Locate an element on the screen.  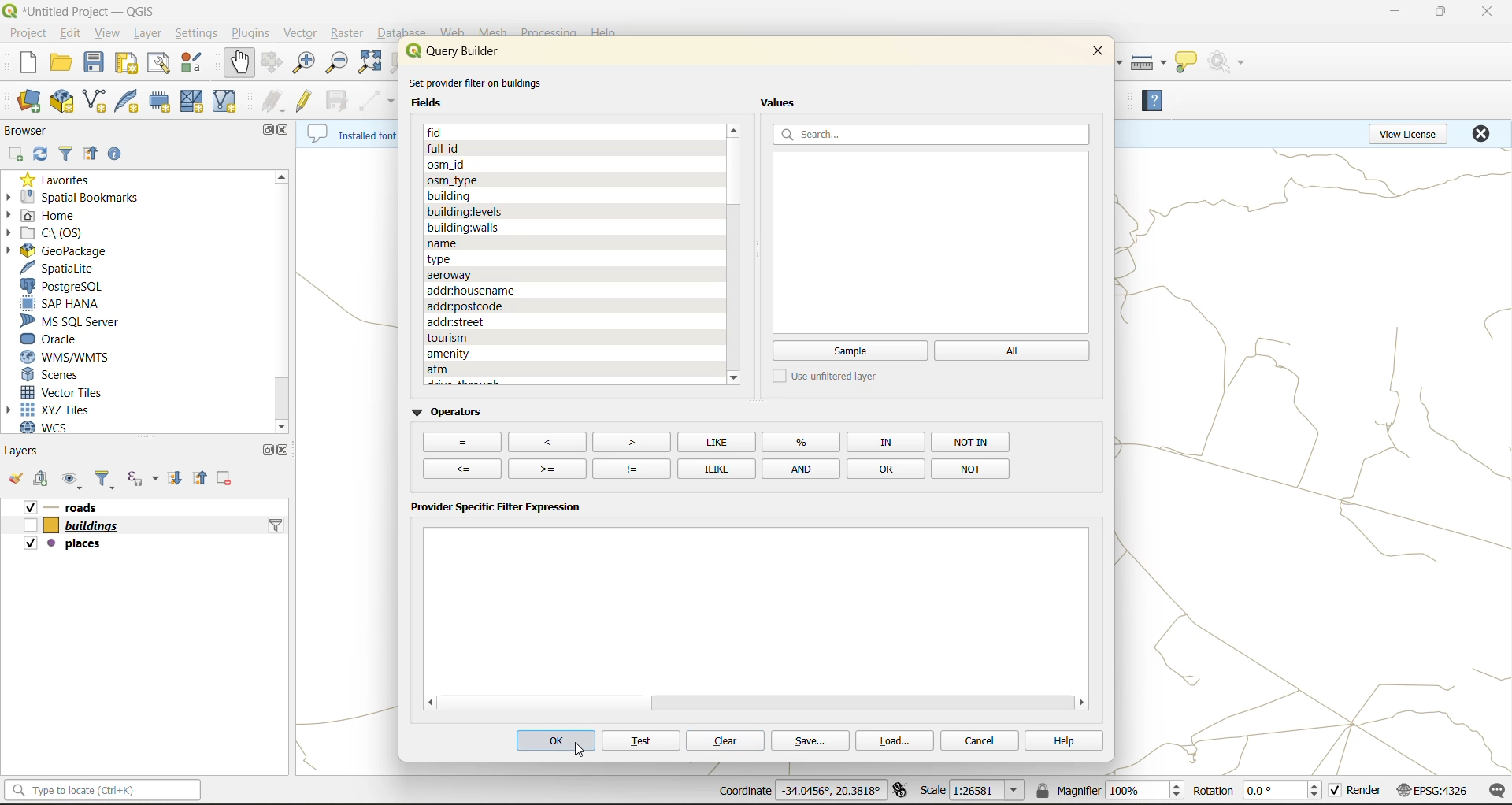
layer is located at coordinates (146, 35).